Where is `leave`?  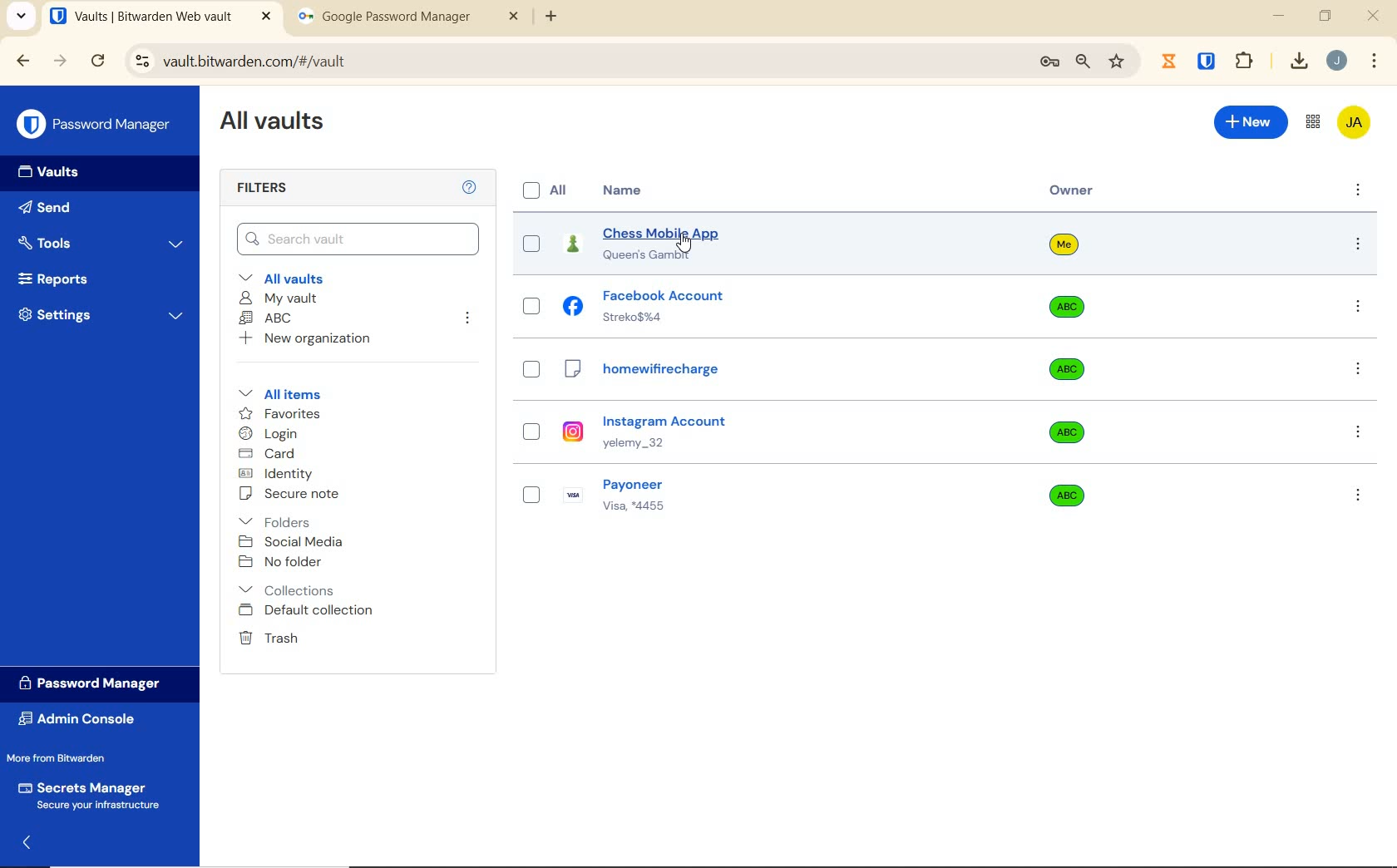
leave is located at coordinates (466, 320).